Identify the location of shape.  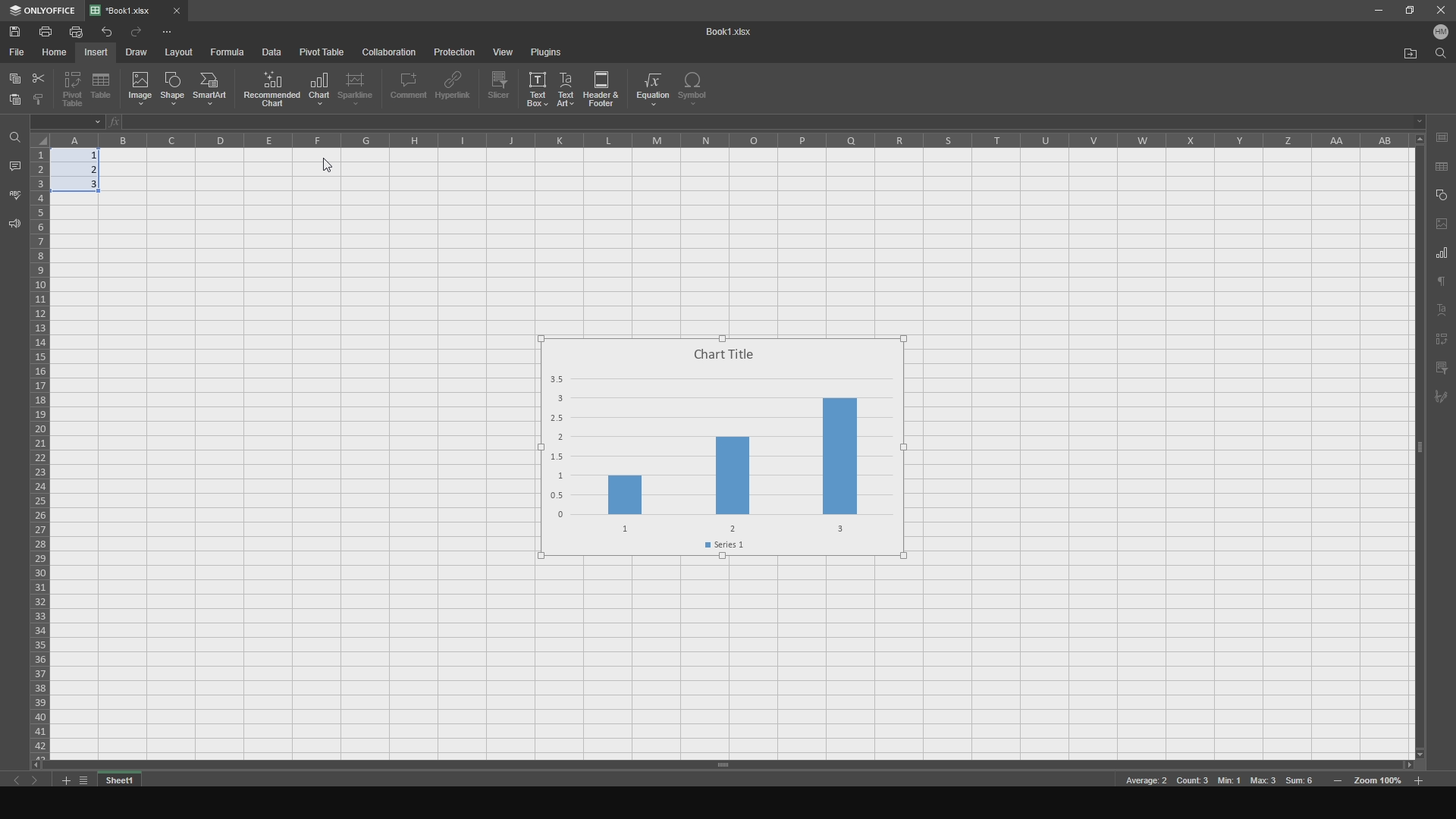
(172, 91).